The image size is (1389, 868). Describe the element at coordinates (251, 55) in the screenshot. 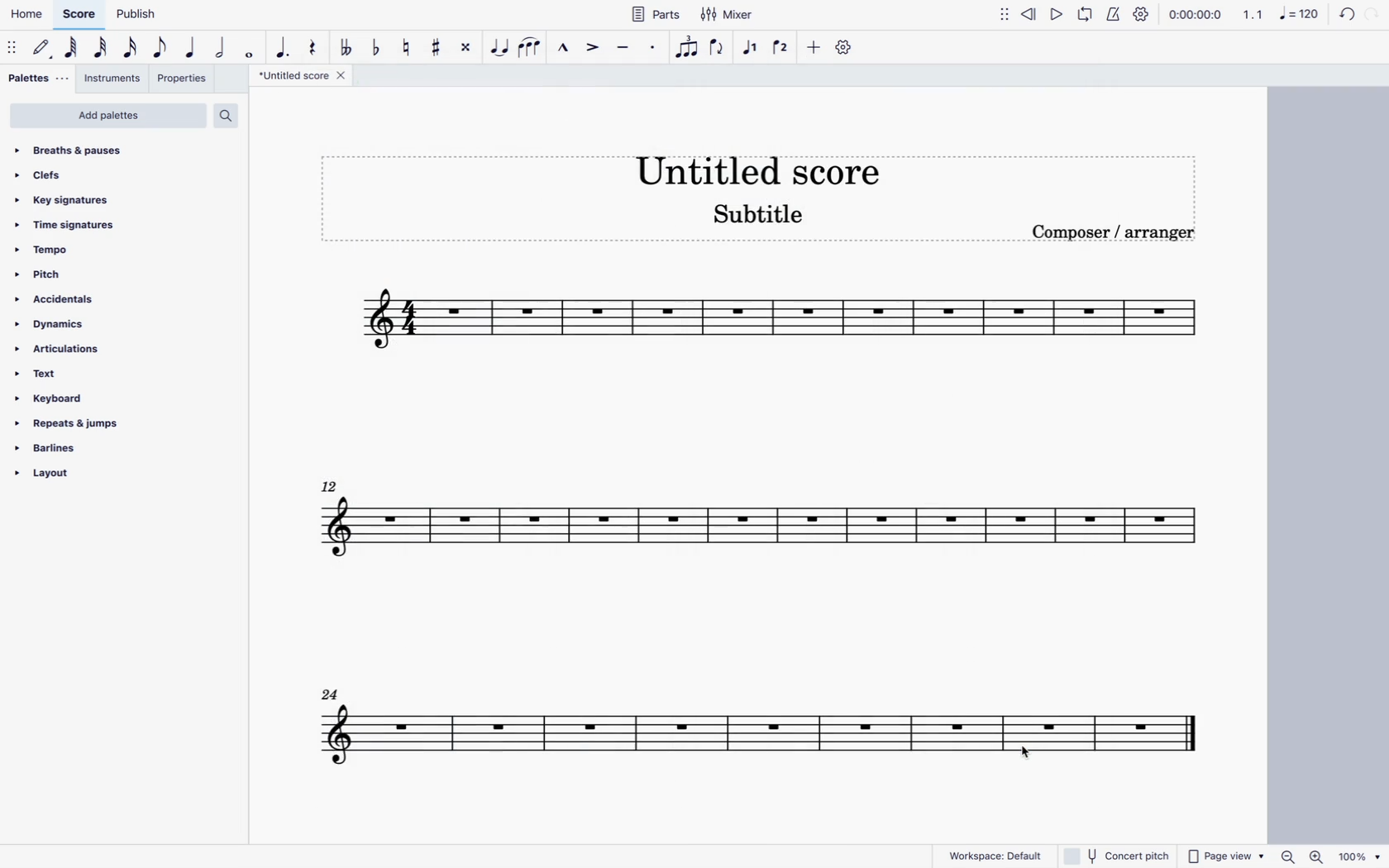

I see `full note` at that location.